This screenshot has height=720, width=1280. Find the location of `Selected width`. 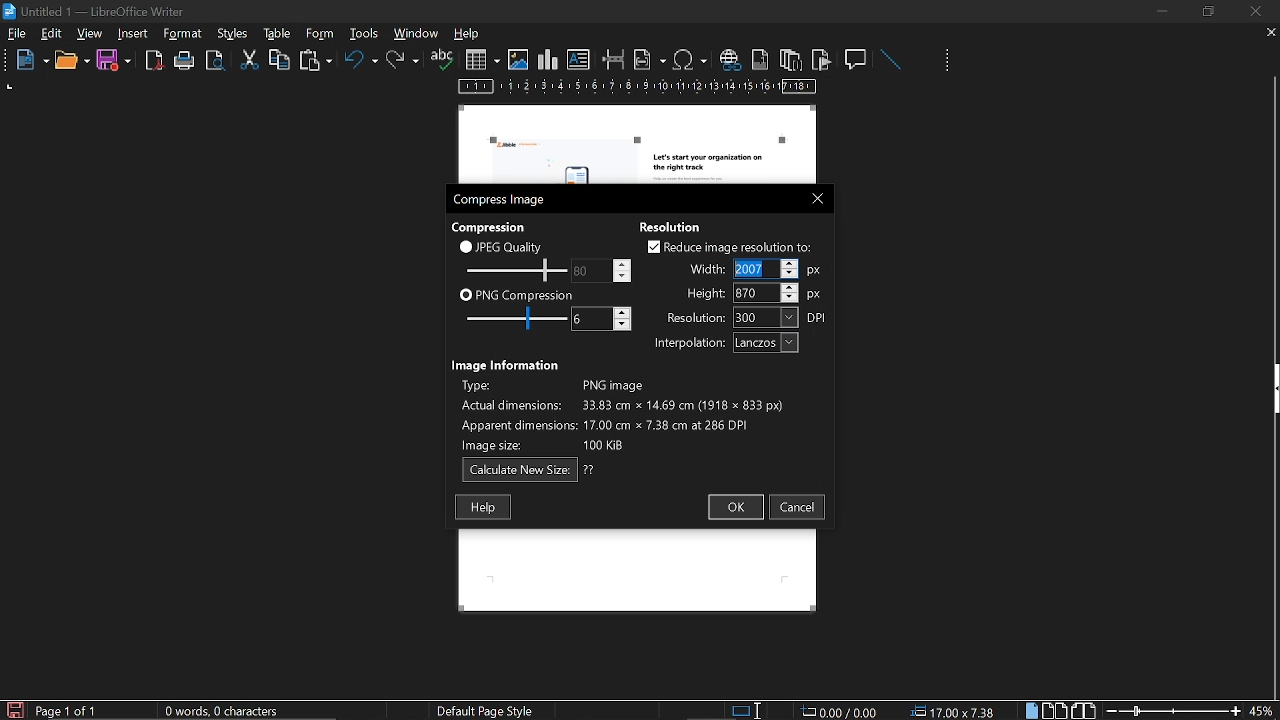

Selected width is located at coordinates (754, 269).